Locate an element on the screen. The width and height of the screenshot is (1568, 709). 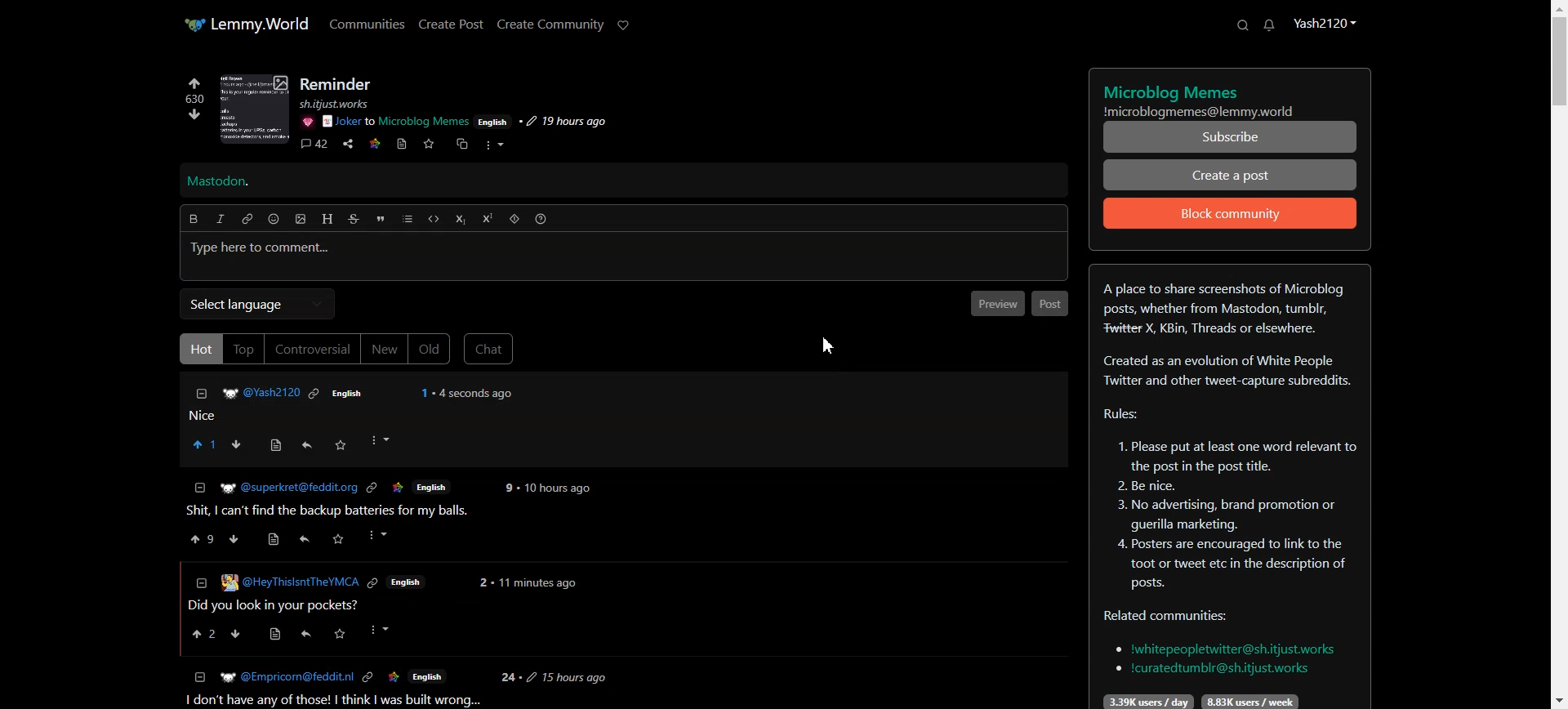
 is located at coordinates (374, 490).